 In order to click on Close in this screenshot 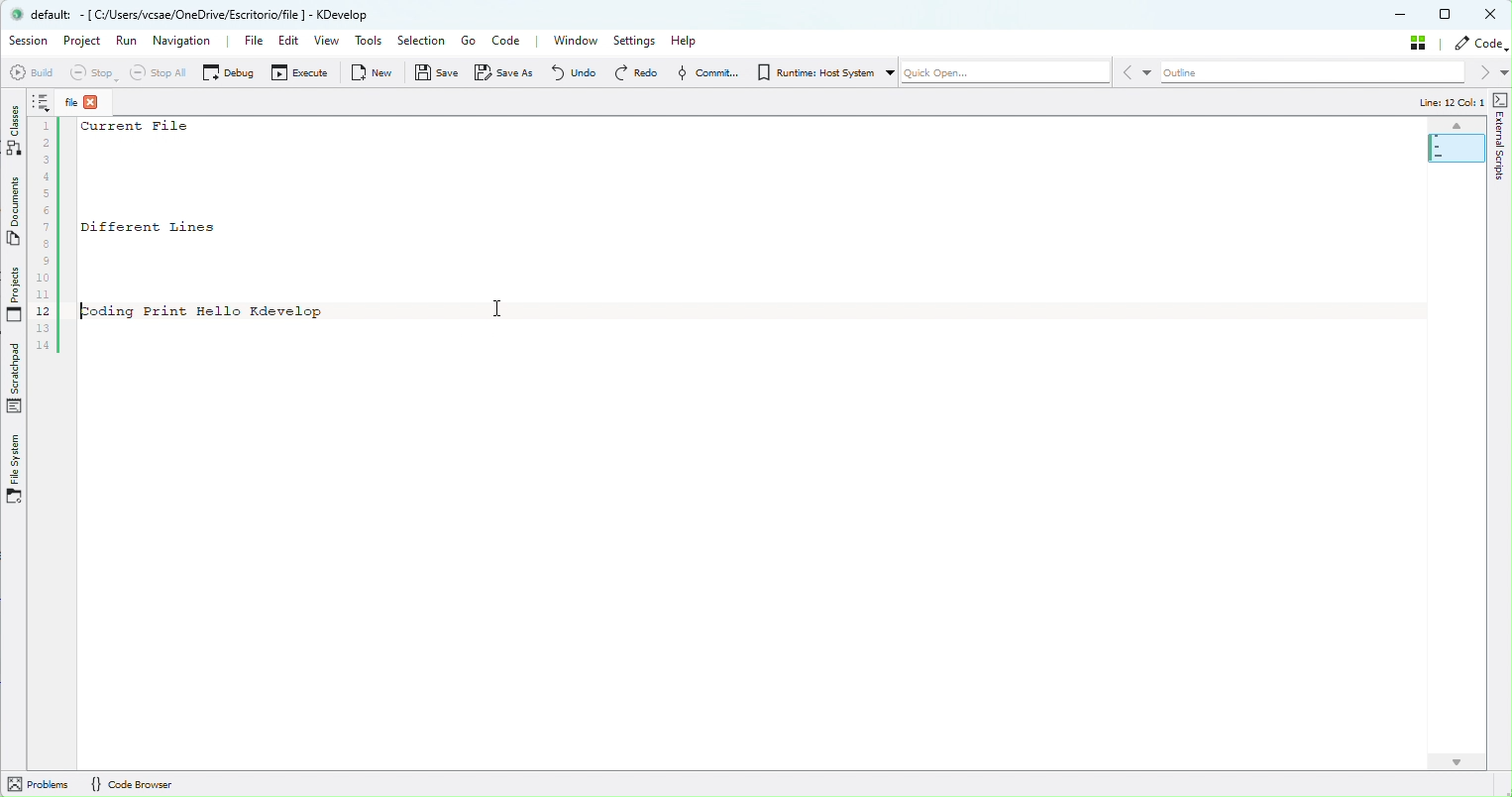, I will do `click(1491, 14)`.